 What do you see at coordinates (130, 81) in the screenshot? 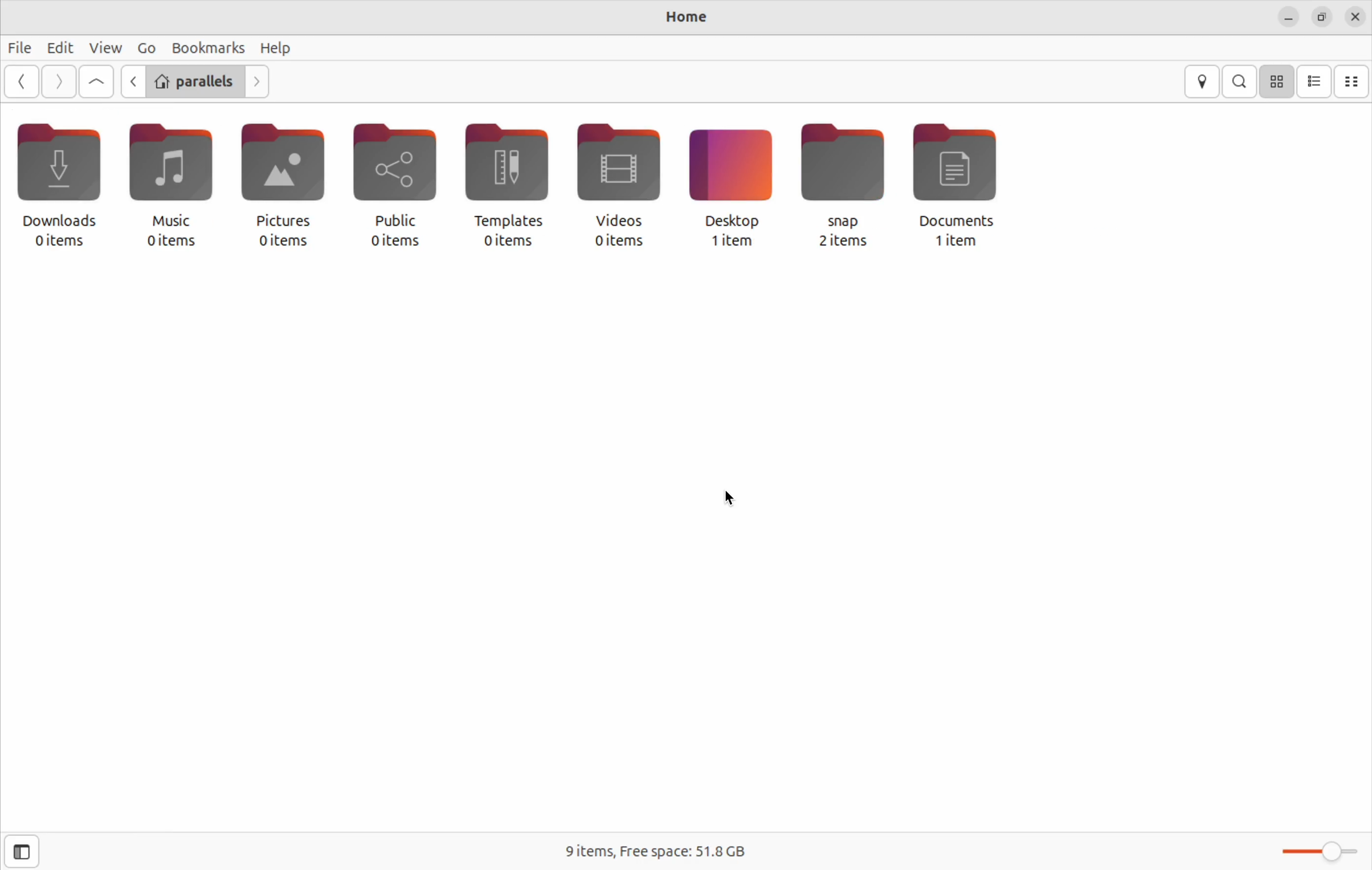
I see `go back` at bounding box center [130, 81].